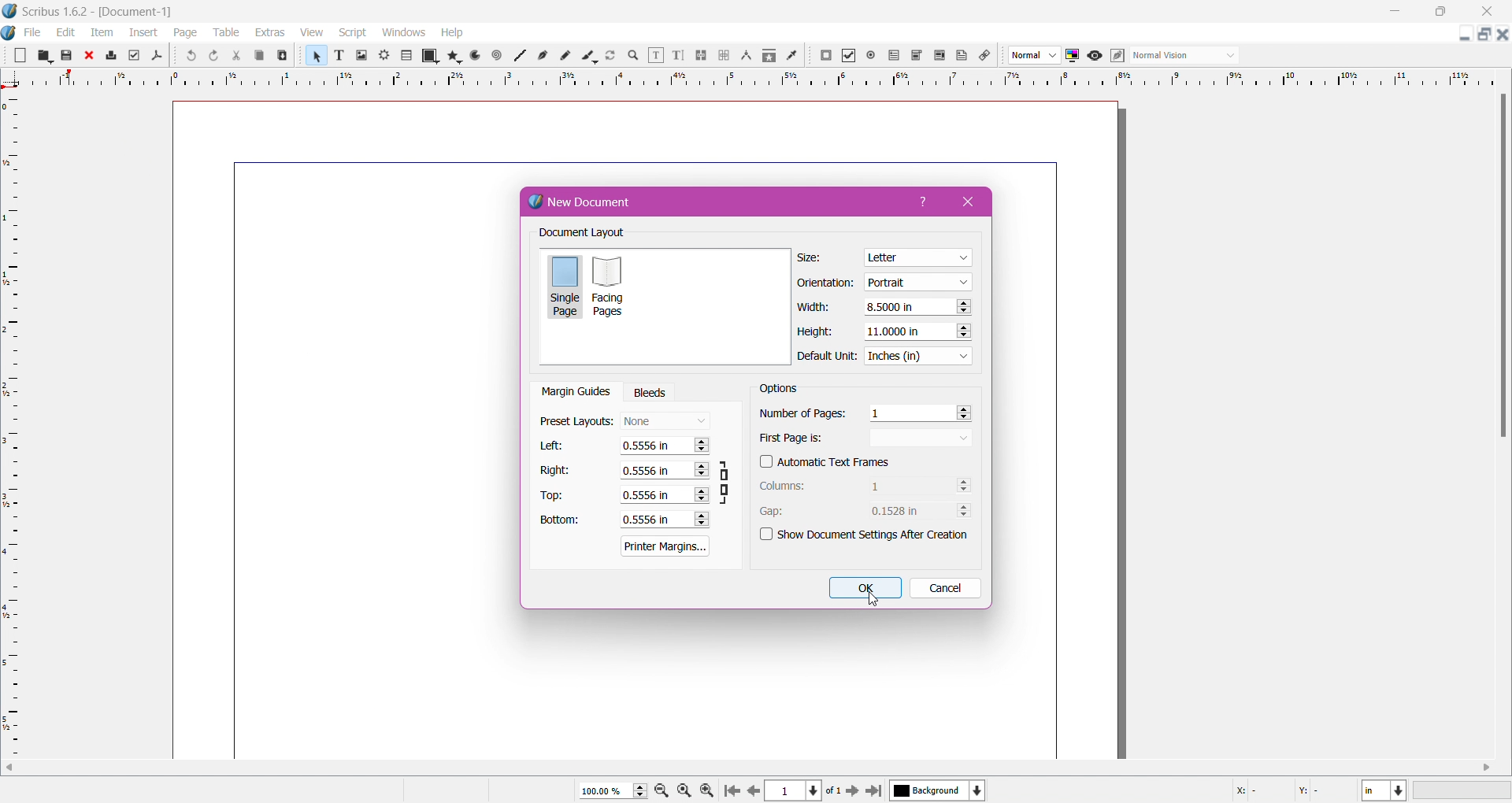 This screenshot has width=1512, height=803. I want to click on 1 5), so click(916, 411).